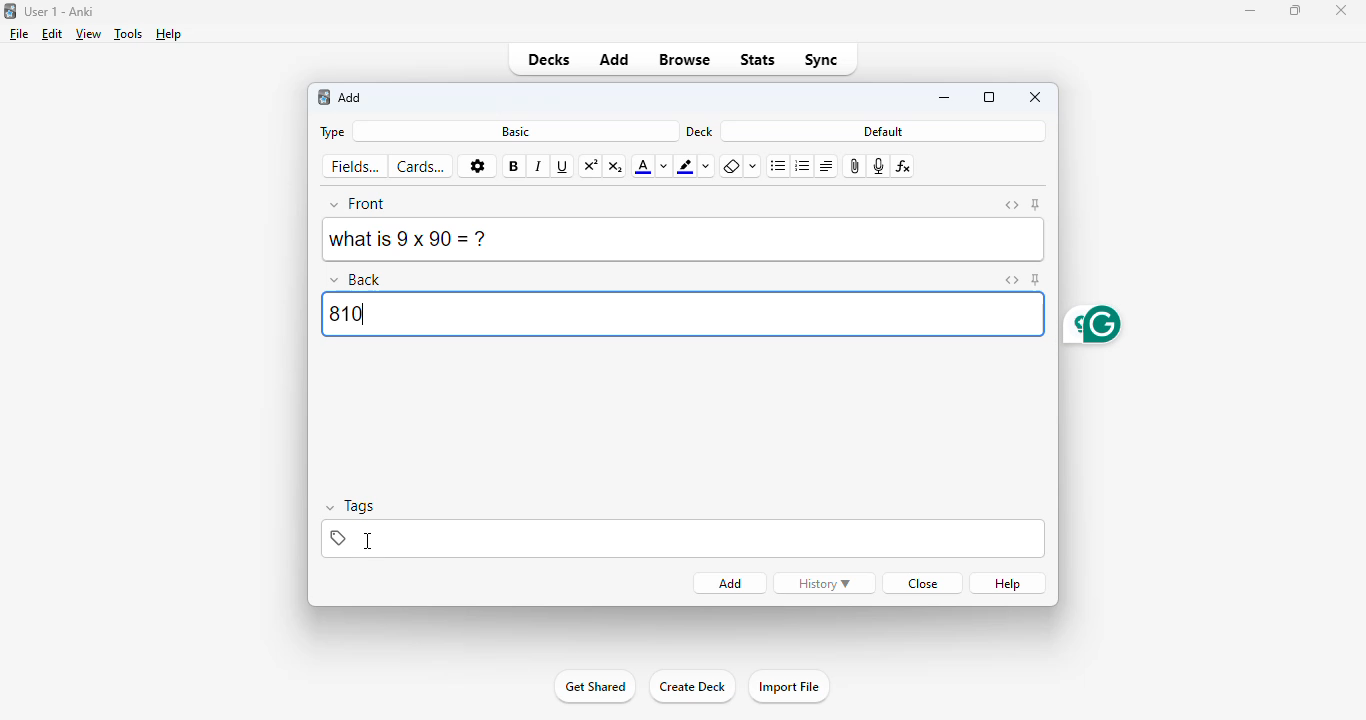 Image resolution: width=1366 pixels, height=720 pixels. I want to click on default, so click(884, 131).